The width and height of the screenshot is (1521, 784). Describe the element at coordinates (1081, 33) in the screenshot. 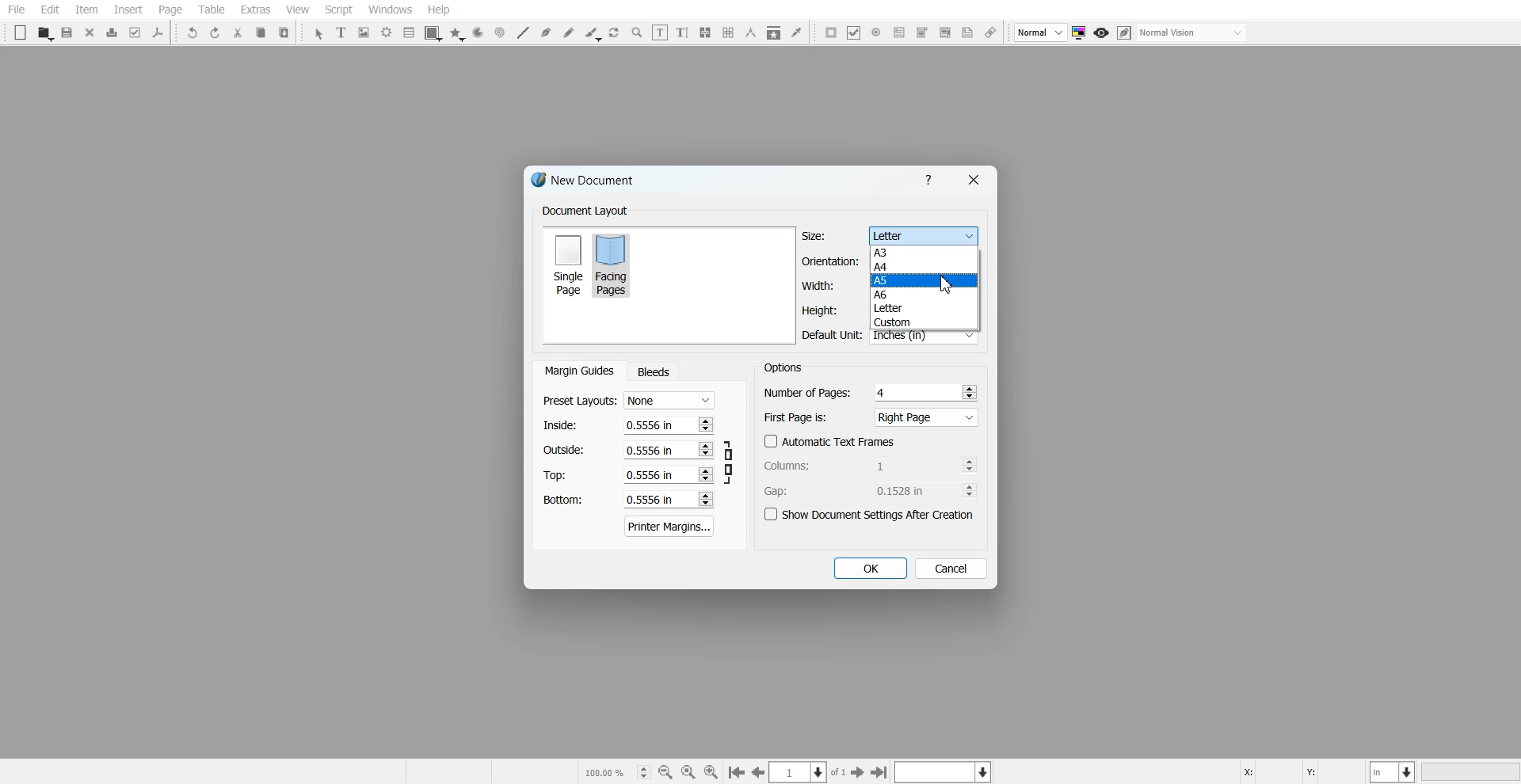

I see `Toggle color ` at that location.